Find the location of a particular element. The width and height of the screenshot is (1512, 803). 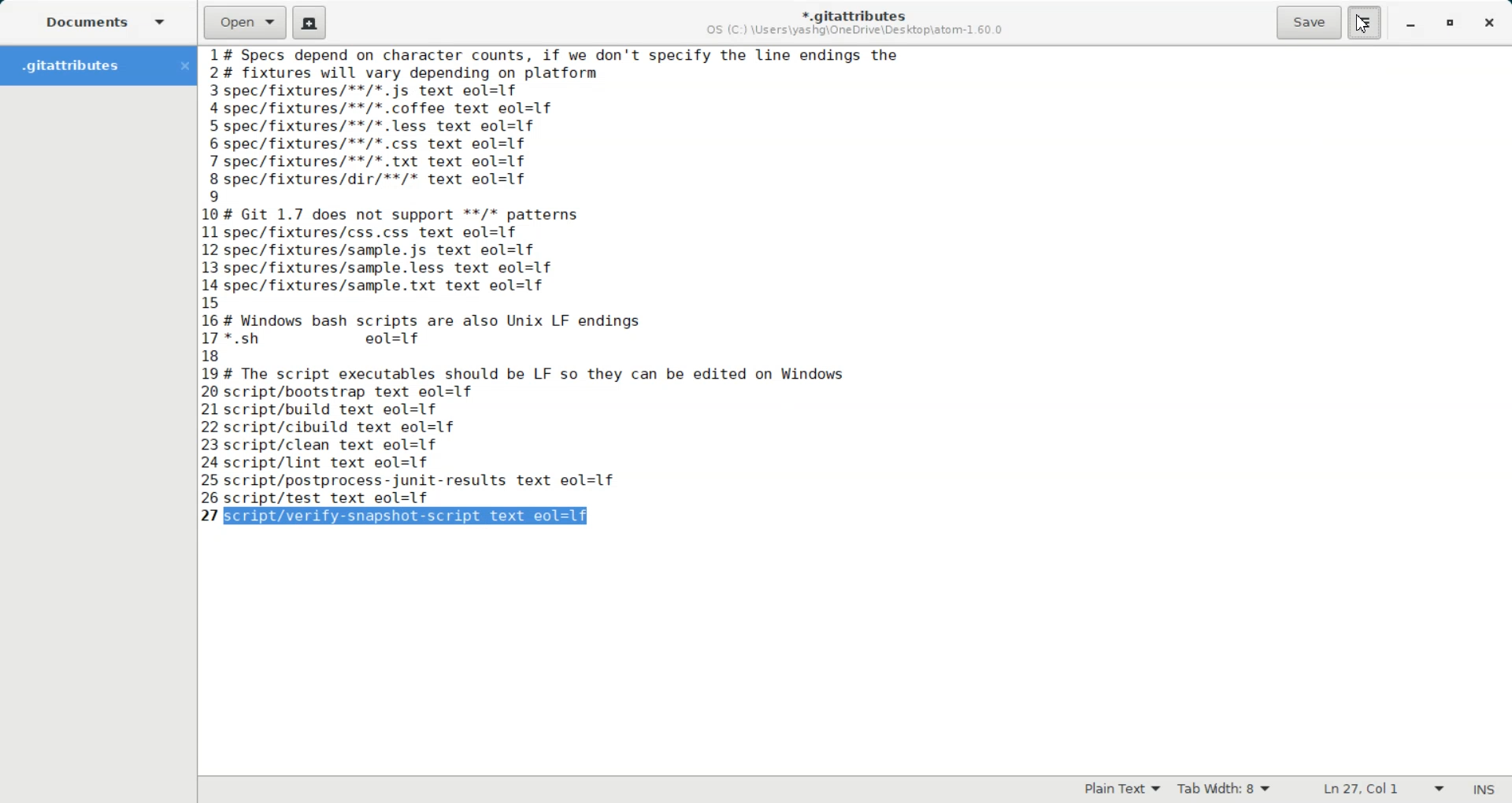

Folder is located at coordinates (82, 65).